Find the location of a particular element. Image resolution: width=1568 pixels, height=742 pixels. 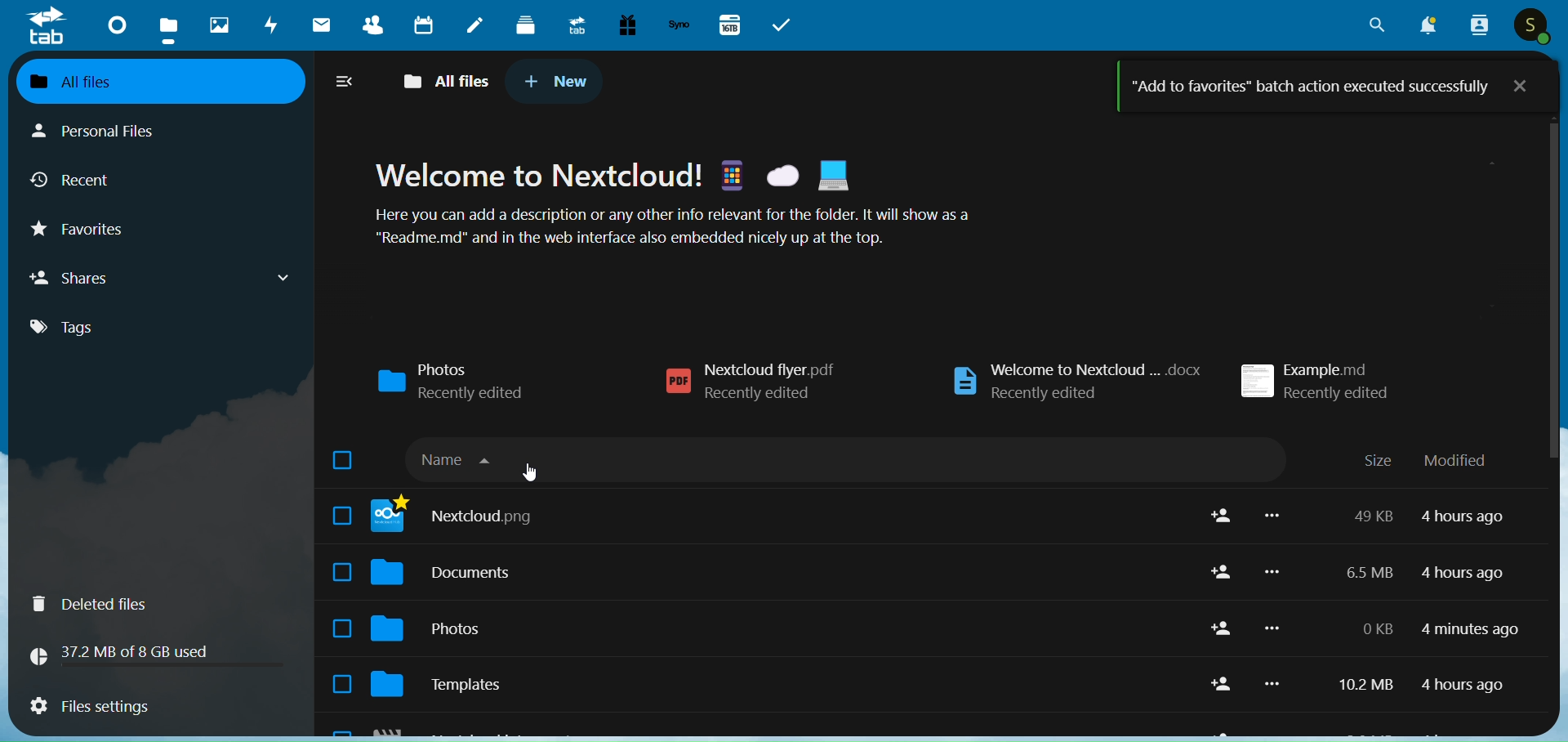

More is located at coordinates (1272, 683).